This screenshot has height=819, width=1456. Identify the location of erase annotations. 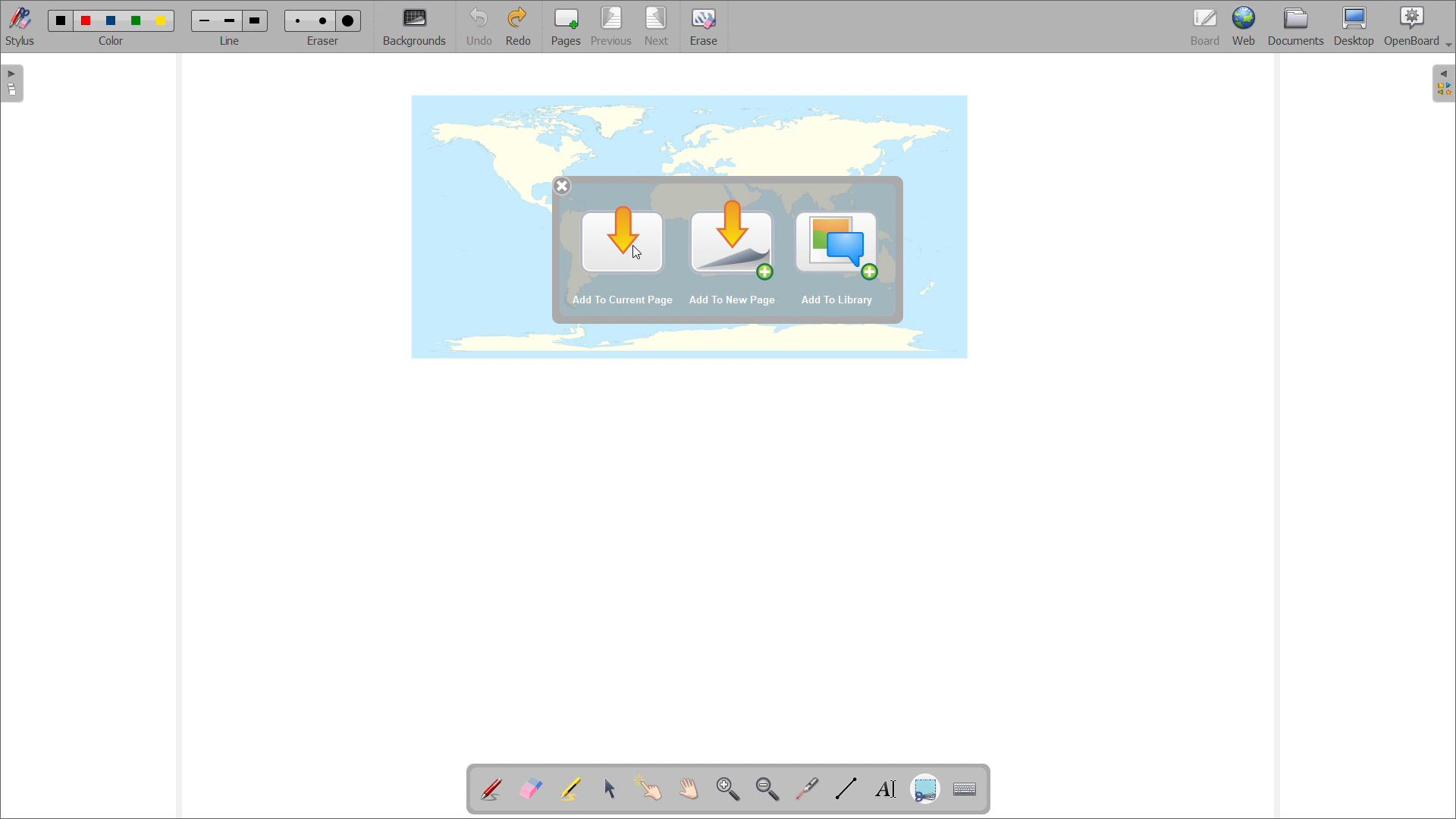
(530, 788).